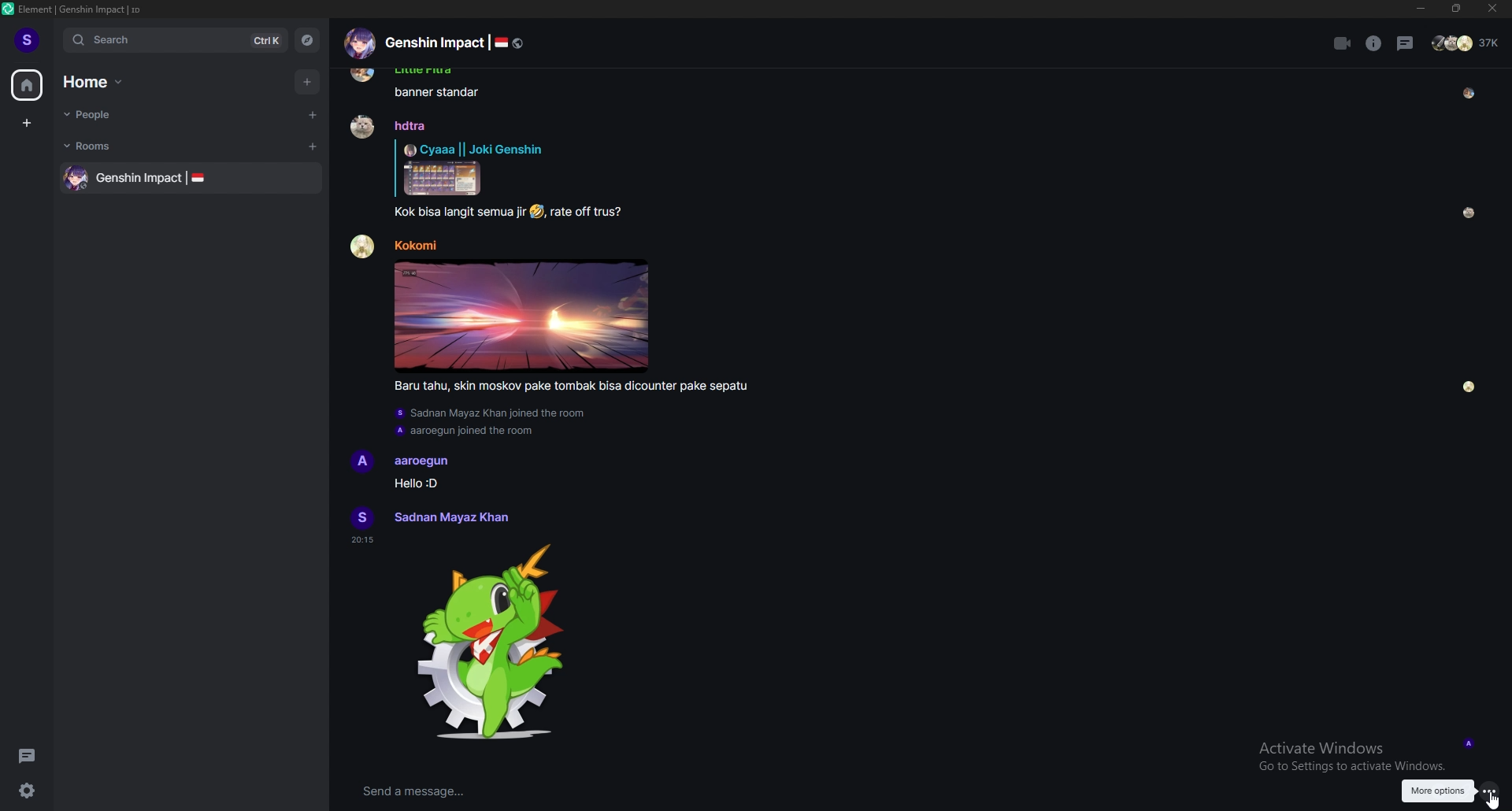  What do you see at coordinates (434, 43) in the screenshot?
I see `Genshin Impact` at bounding box center [434, 43].